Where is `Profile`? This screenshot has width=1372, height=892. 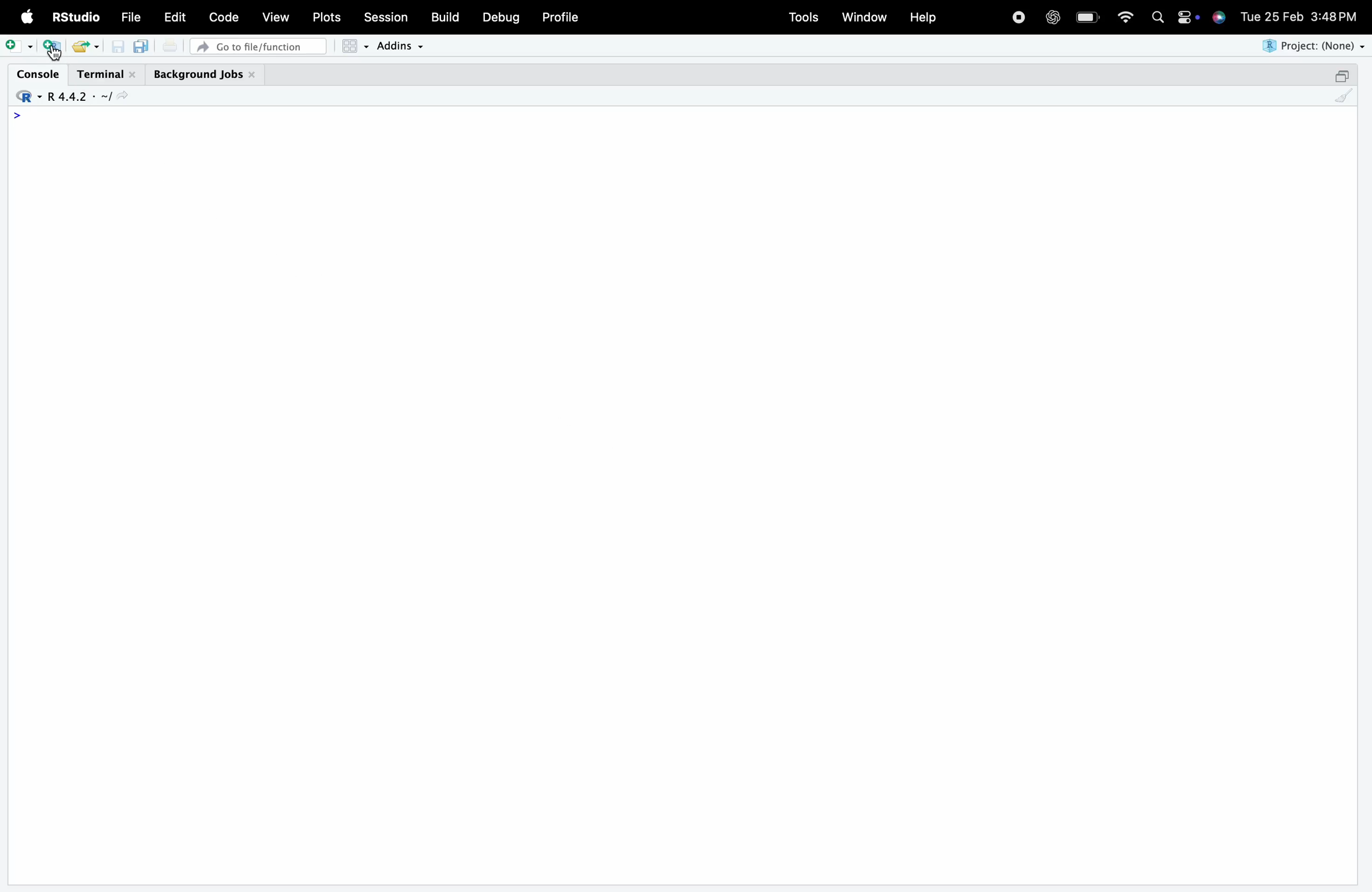
Profile is located at coordinates (561, 17).